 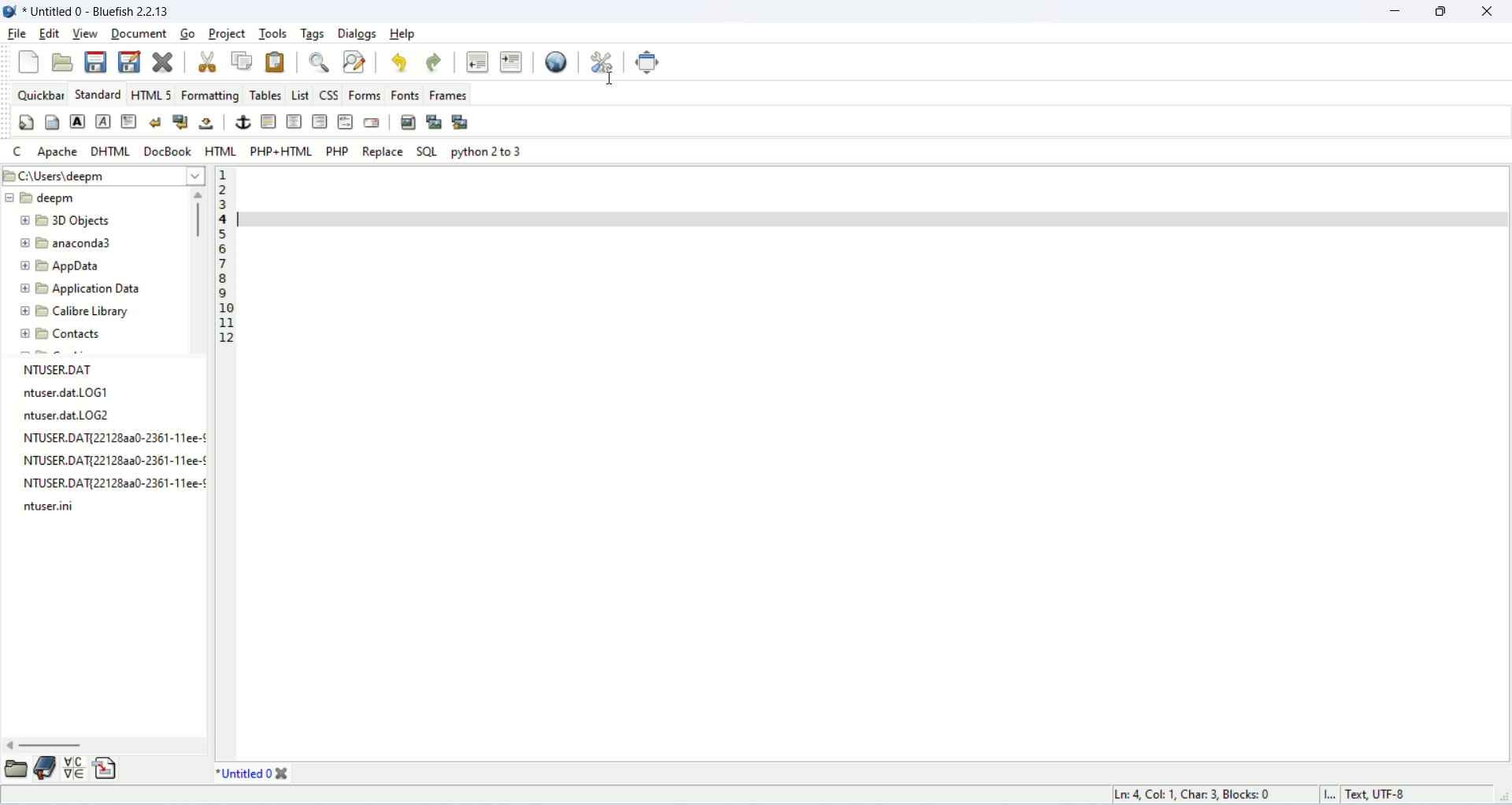 What do you see at coordinates (116, 463) in the screenshot?
I see `NTUSER.DAT{22128AA0-2361-11EE-` at bounding box center [116, 463].